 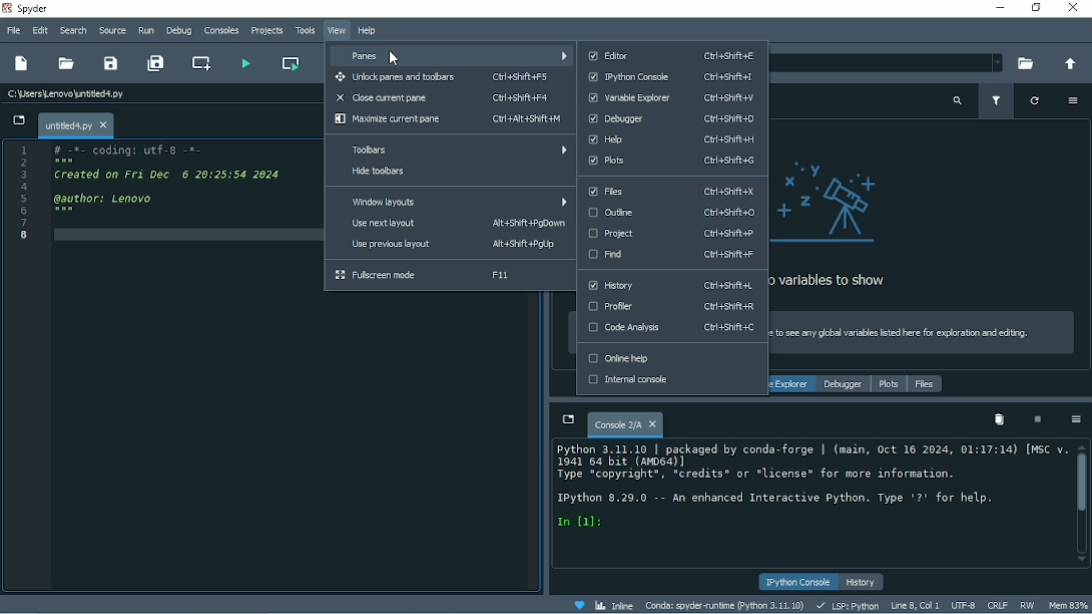 I want to click on Save file, so click(x=112, y=63).